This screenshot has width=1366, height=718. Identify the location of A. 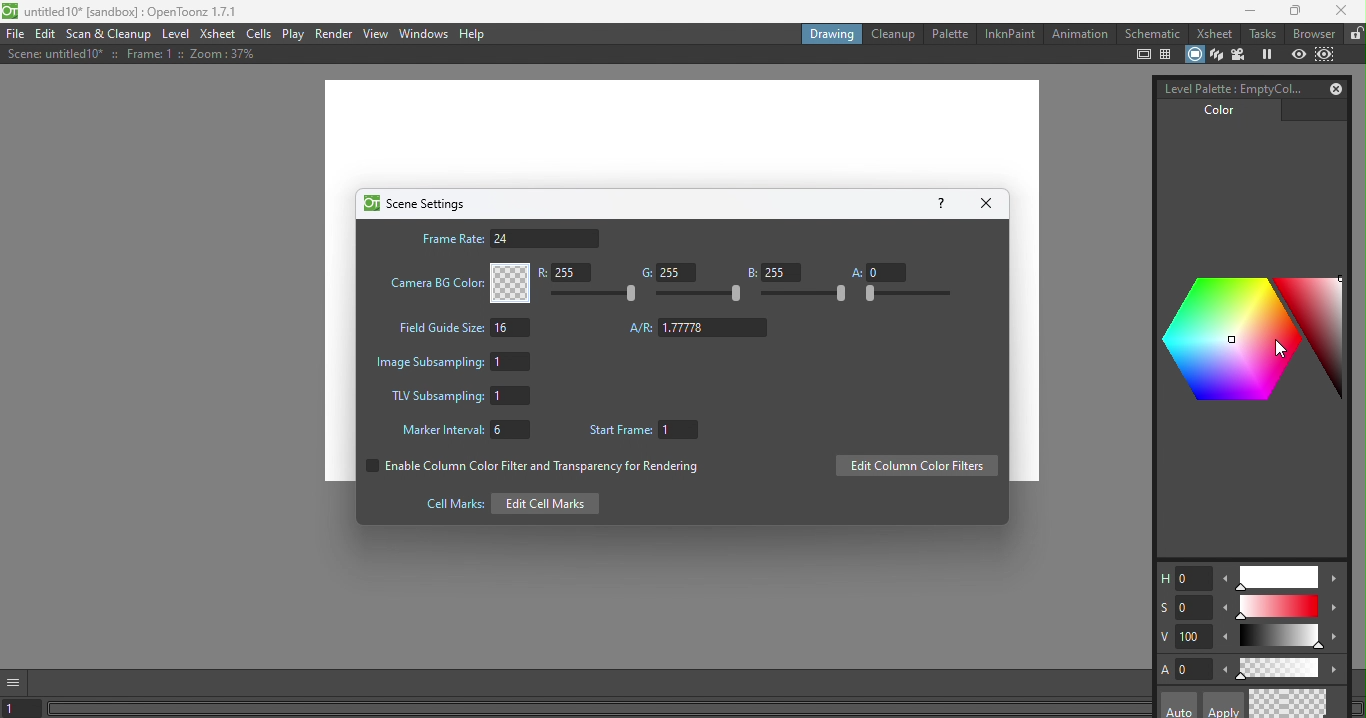
(878, 271).